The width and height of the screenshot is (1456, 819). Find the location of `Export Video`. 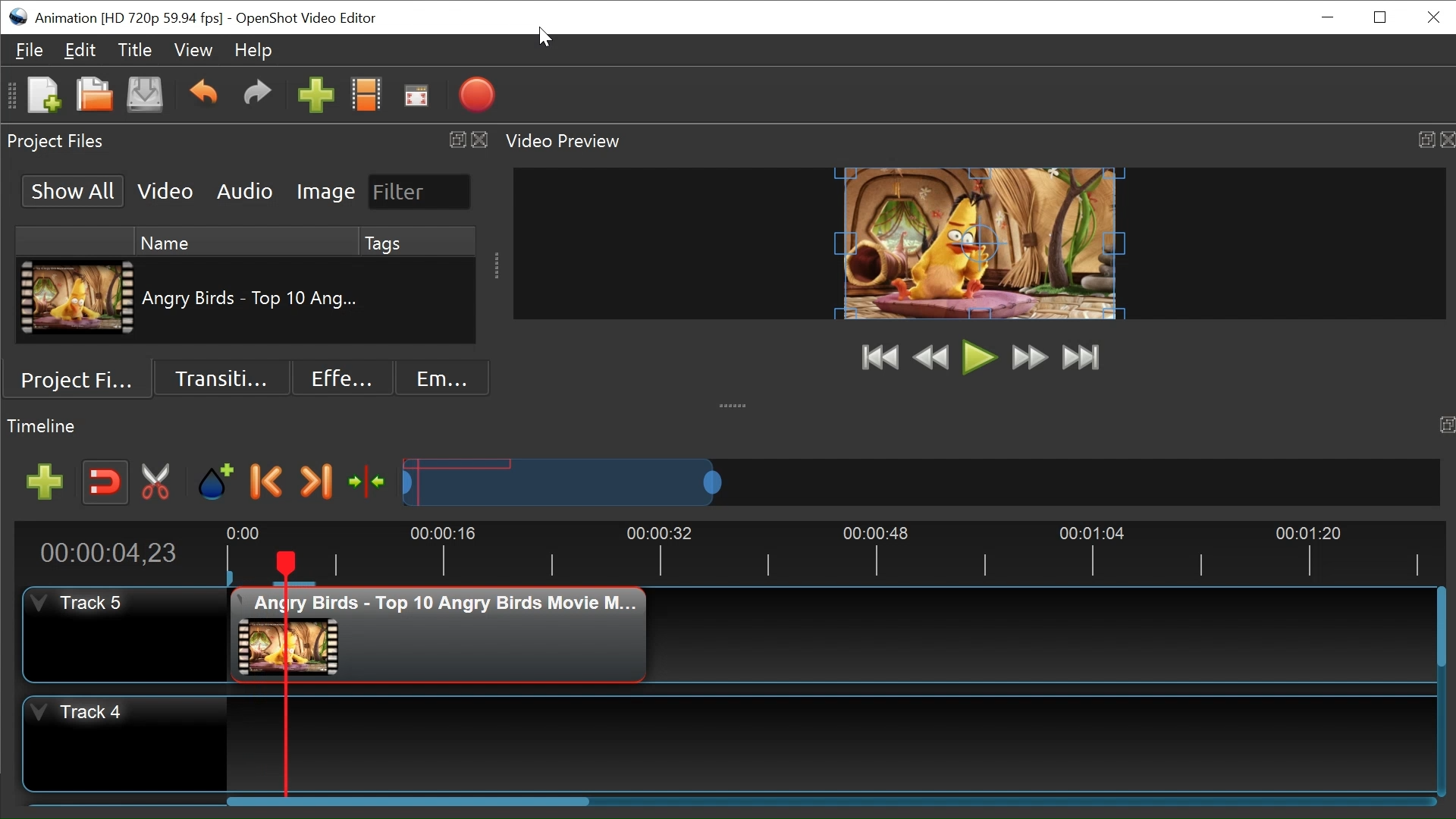

Export Video is located at coordinates (476, 95).